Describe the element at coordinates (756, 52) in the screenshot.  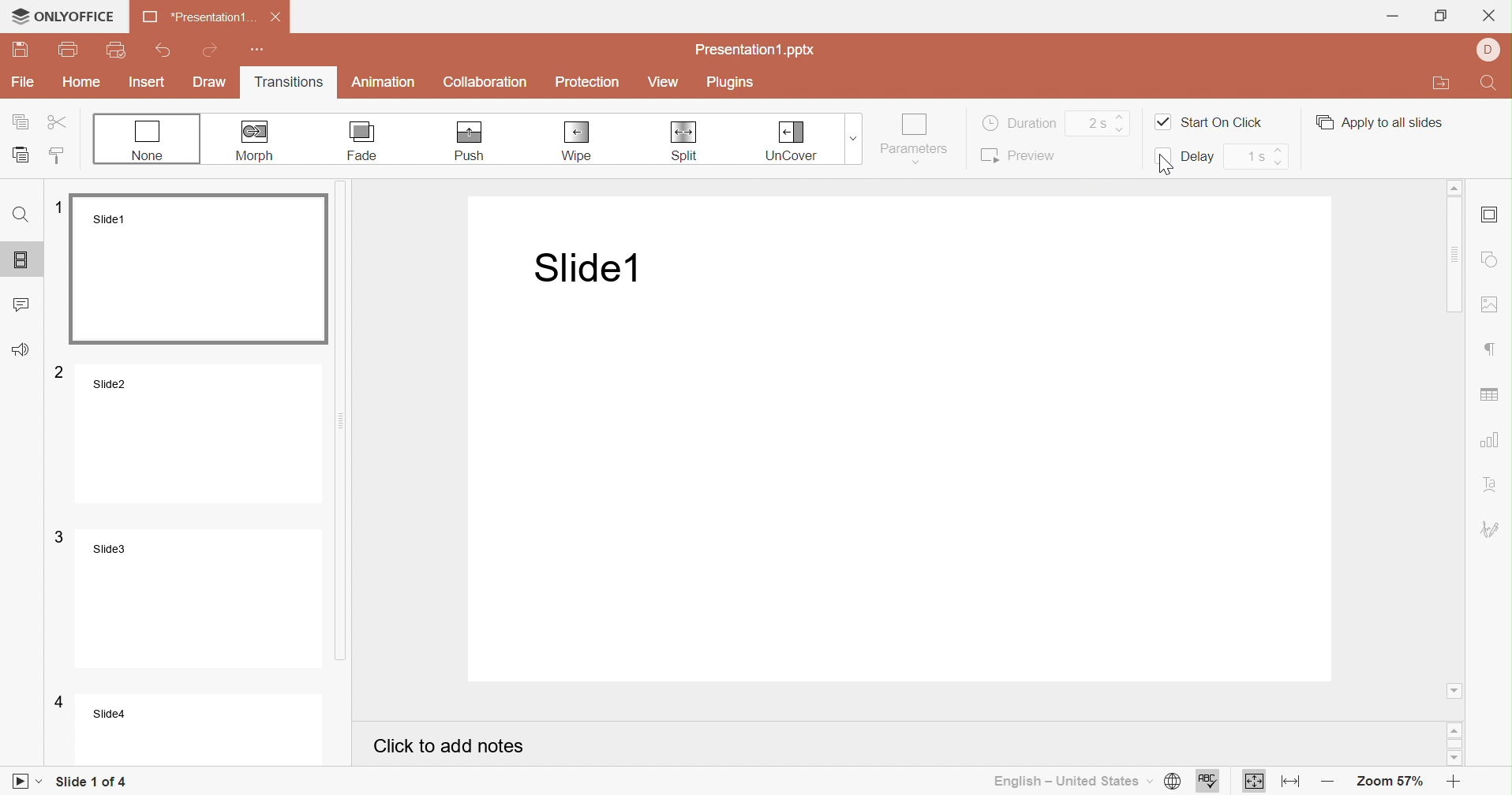
I see `Presentation1.pptx` at that location.